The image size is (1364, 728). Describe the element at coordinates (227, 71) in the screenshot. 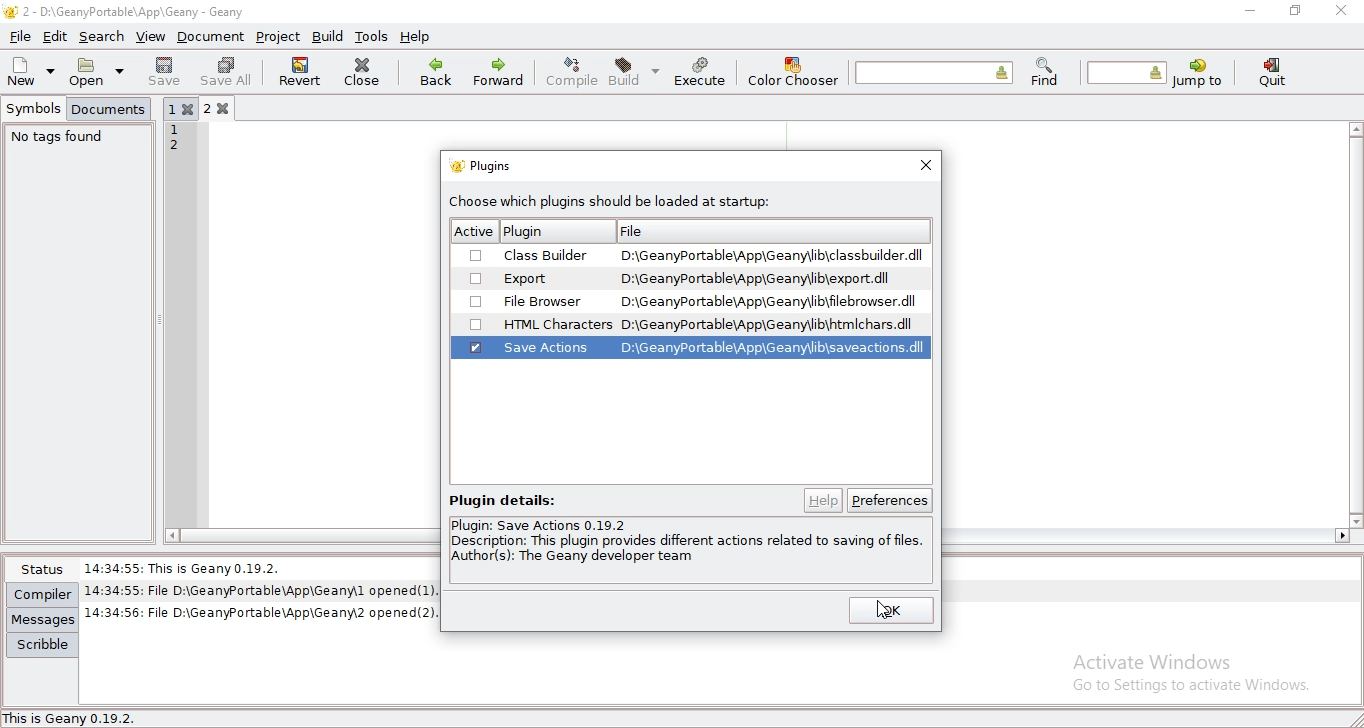

I see `save all` at that location.